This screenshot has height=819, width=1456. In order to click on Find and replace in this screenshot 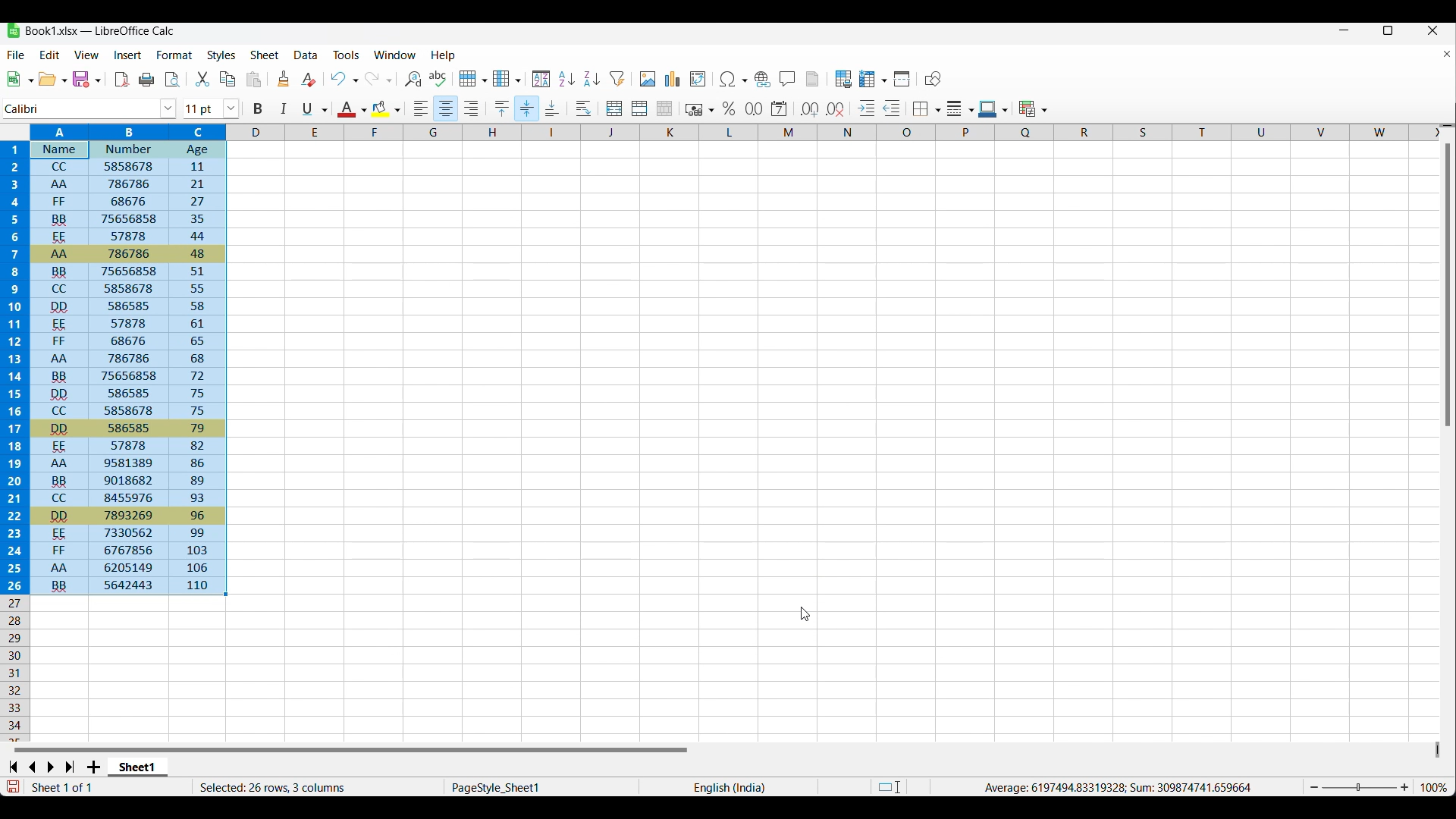, I will do `click(414, 78)`.